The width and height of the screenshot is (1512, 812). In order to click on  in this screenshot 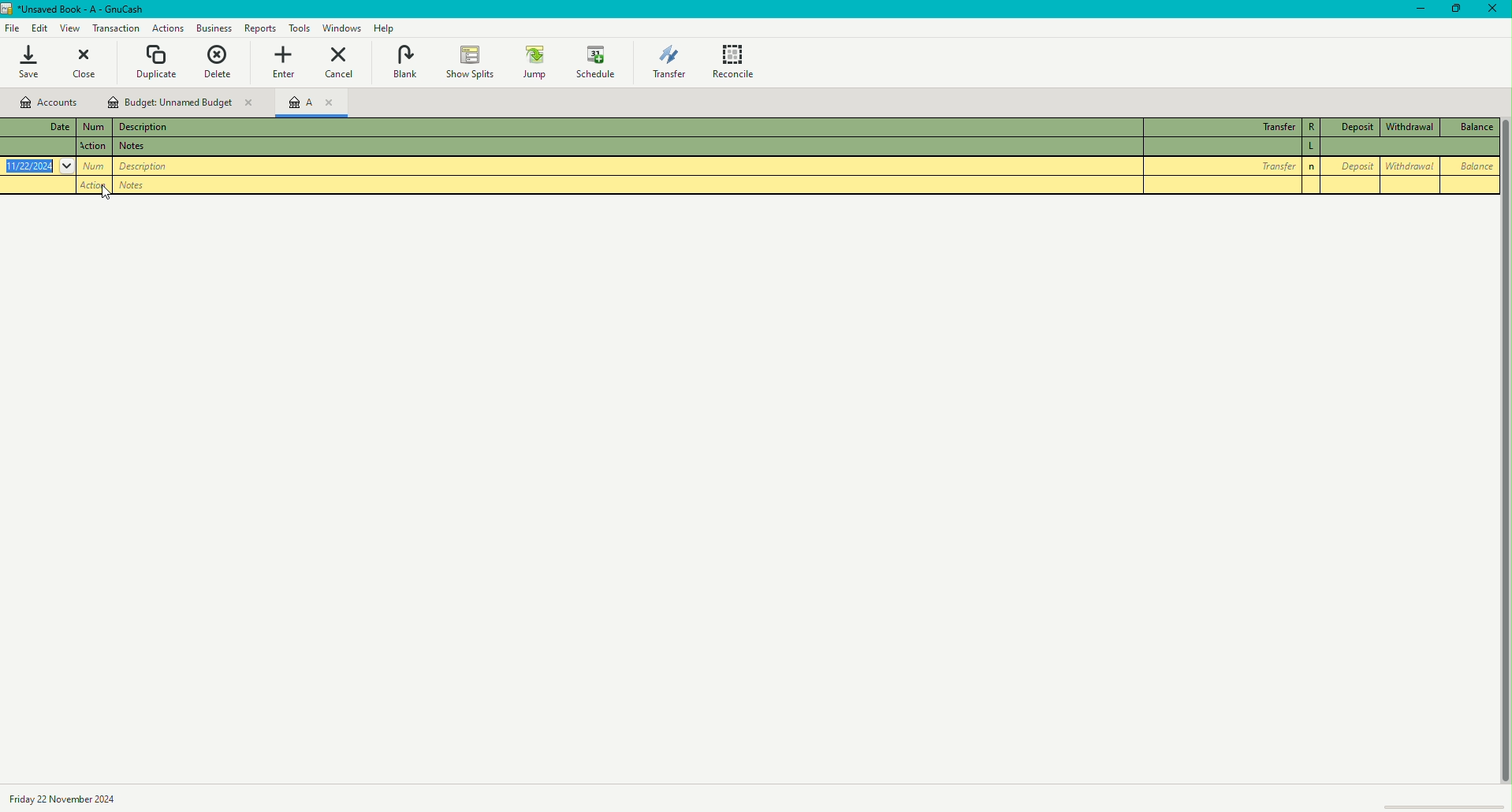, I will do `click(1313, 149)`.